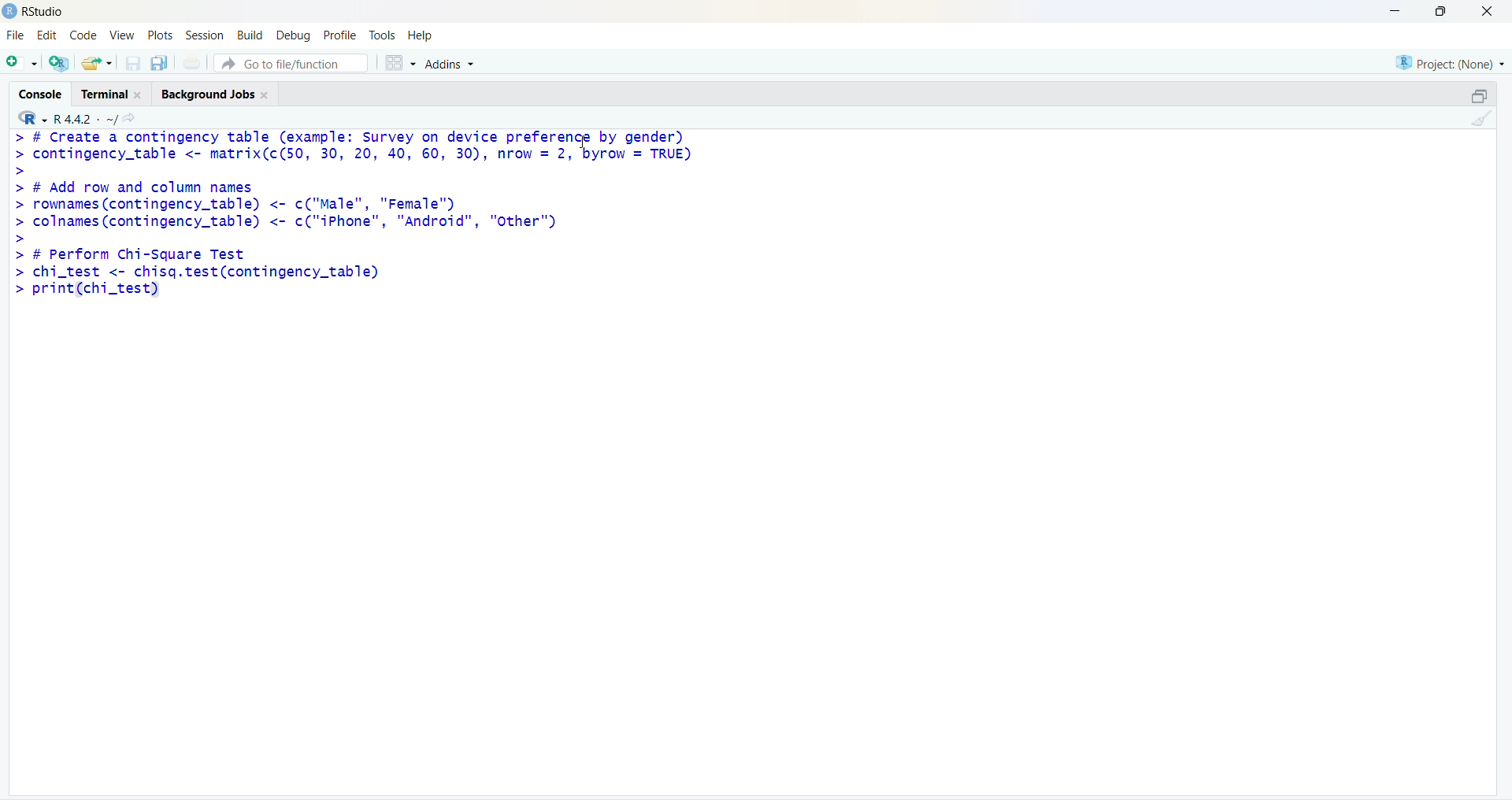 The image size is (1512, 800). I want to click on open in a pop window, so click(1478, 96).